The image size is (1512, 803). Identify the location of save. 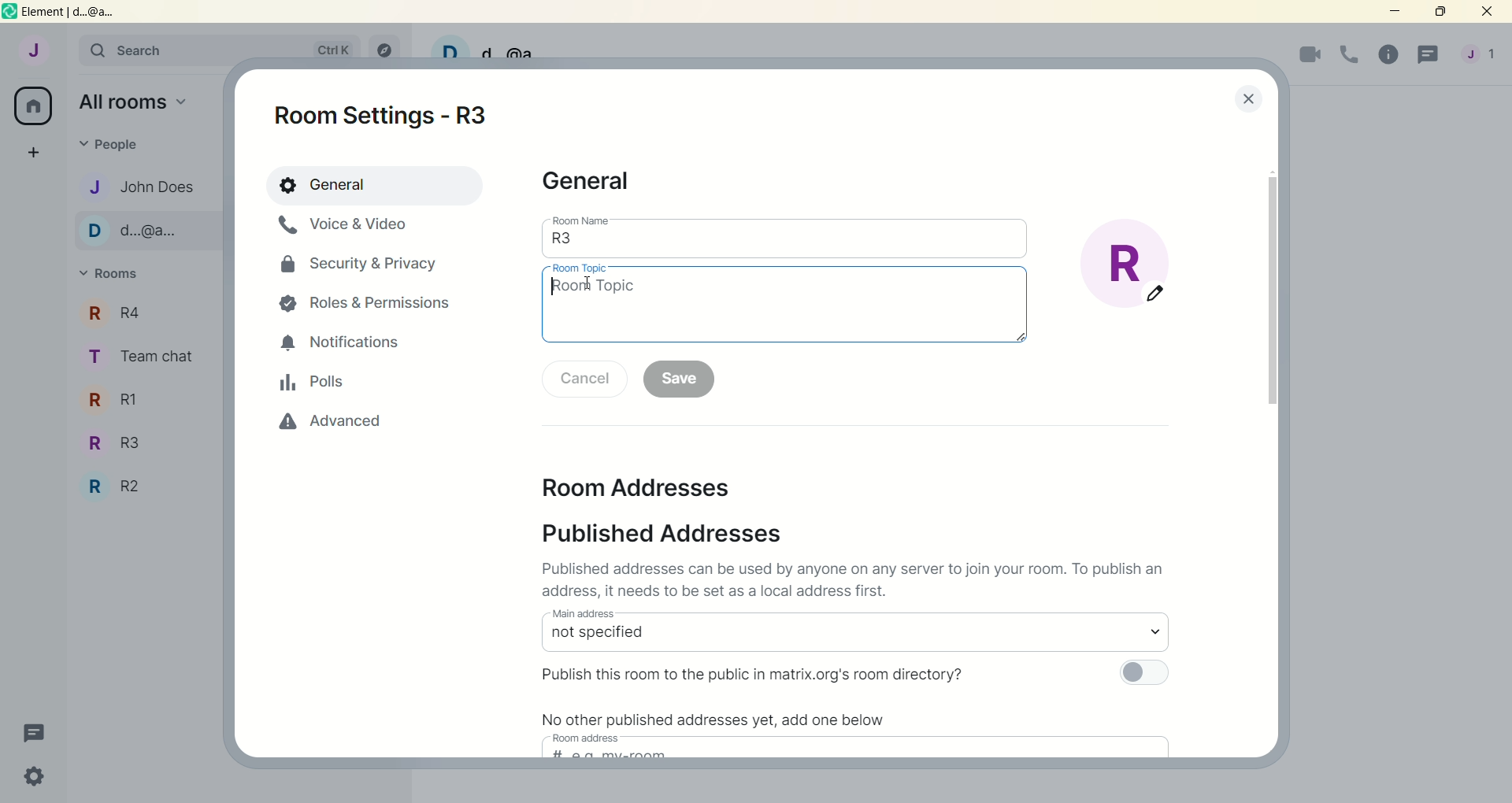
(679, 379).